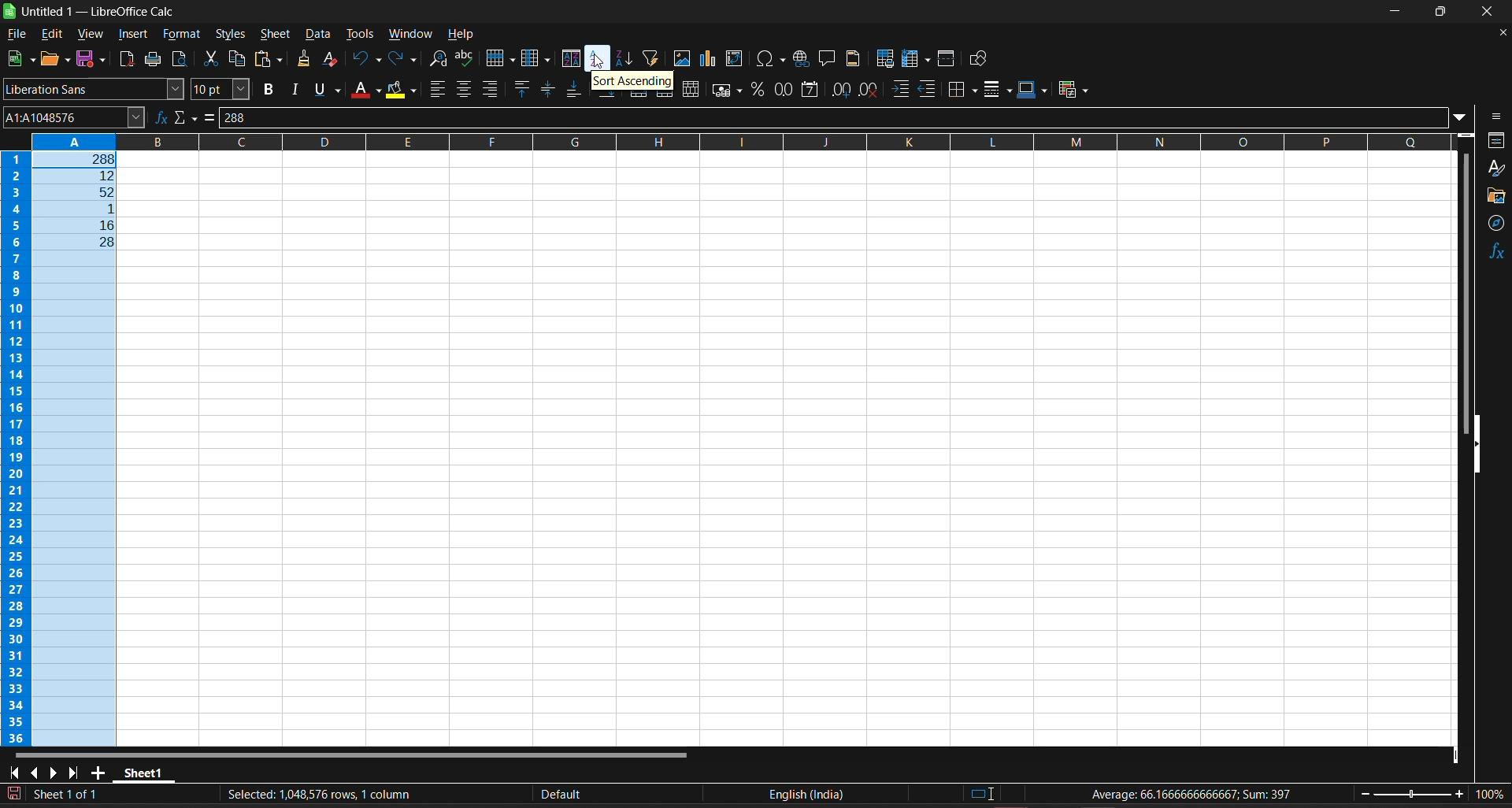 This screenshot has height=808, width=1512. What do you see at coordinates (182, 34) in the screenshot?
I see `format` at bounding box center [182, 34].